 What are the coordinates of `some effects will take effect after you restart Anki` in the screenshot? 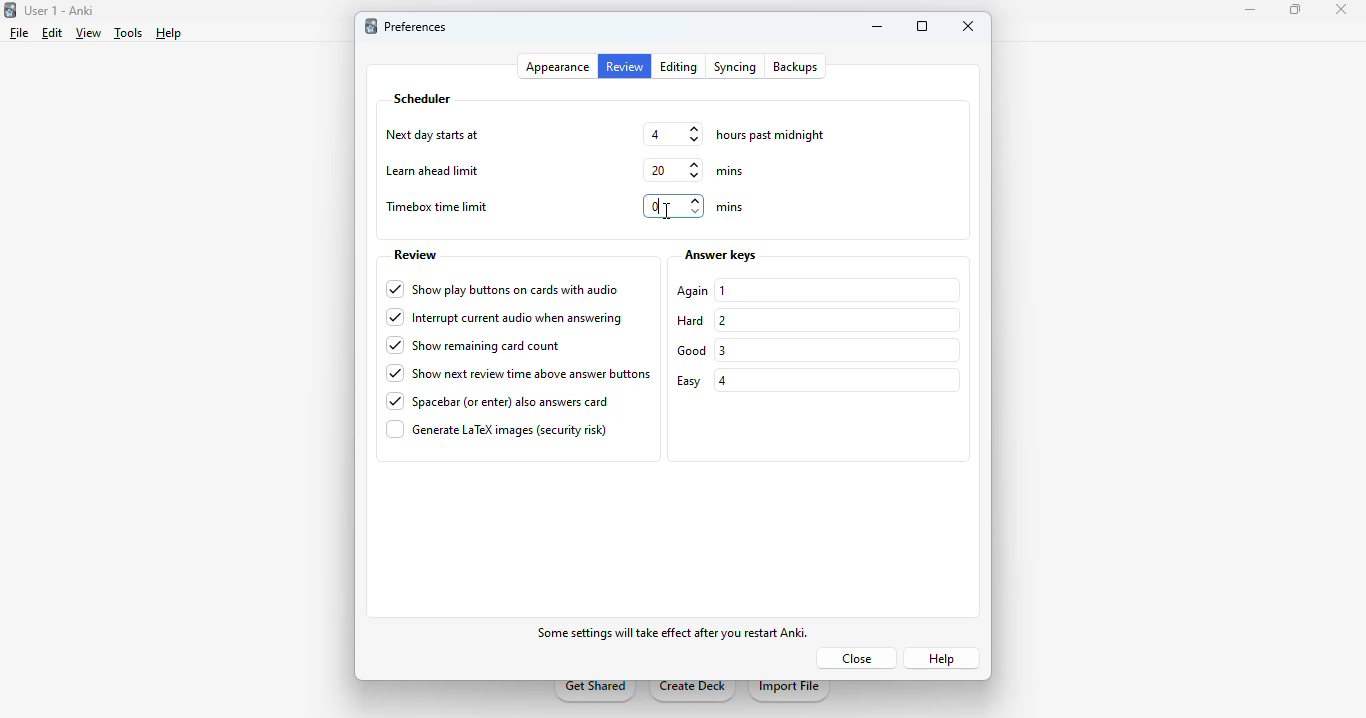 It's located at (676, 634).